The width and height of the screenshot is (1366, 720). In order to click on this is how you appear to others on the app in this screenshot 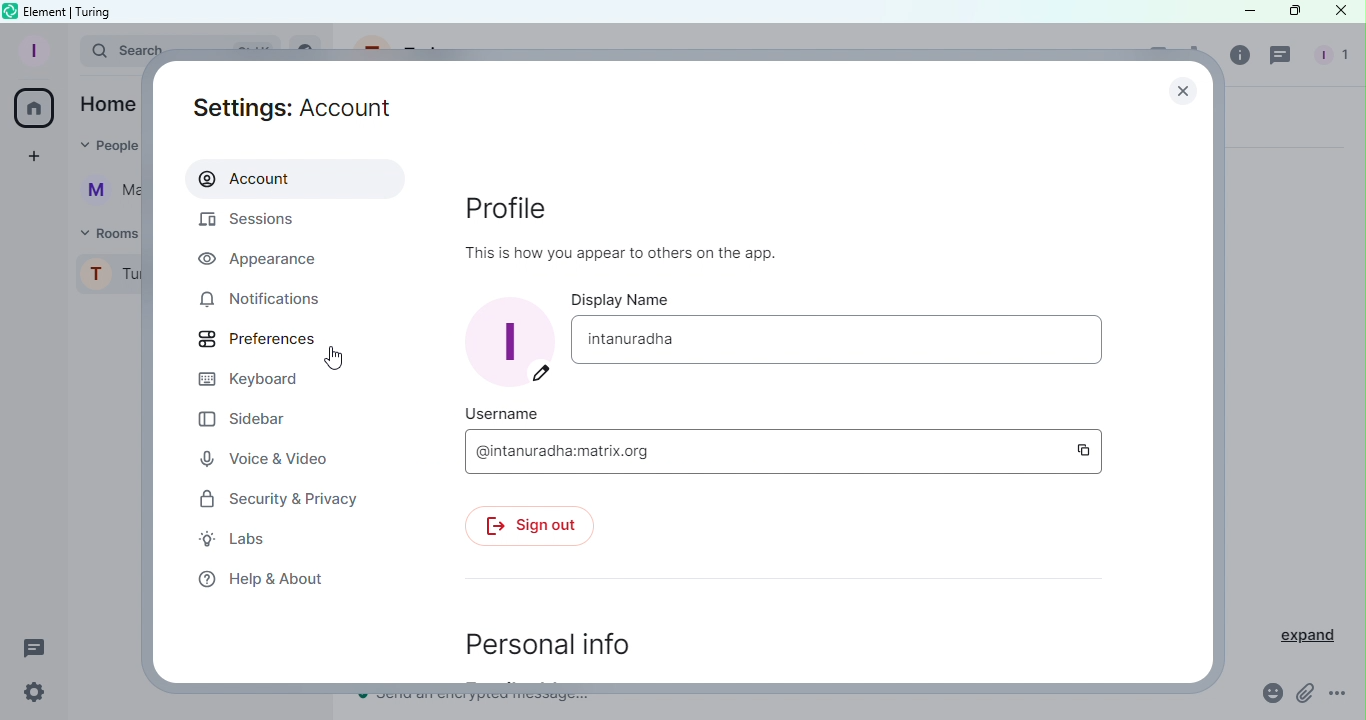, I will do `click(621, 252)`.